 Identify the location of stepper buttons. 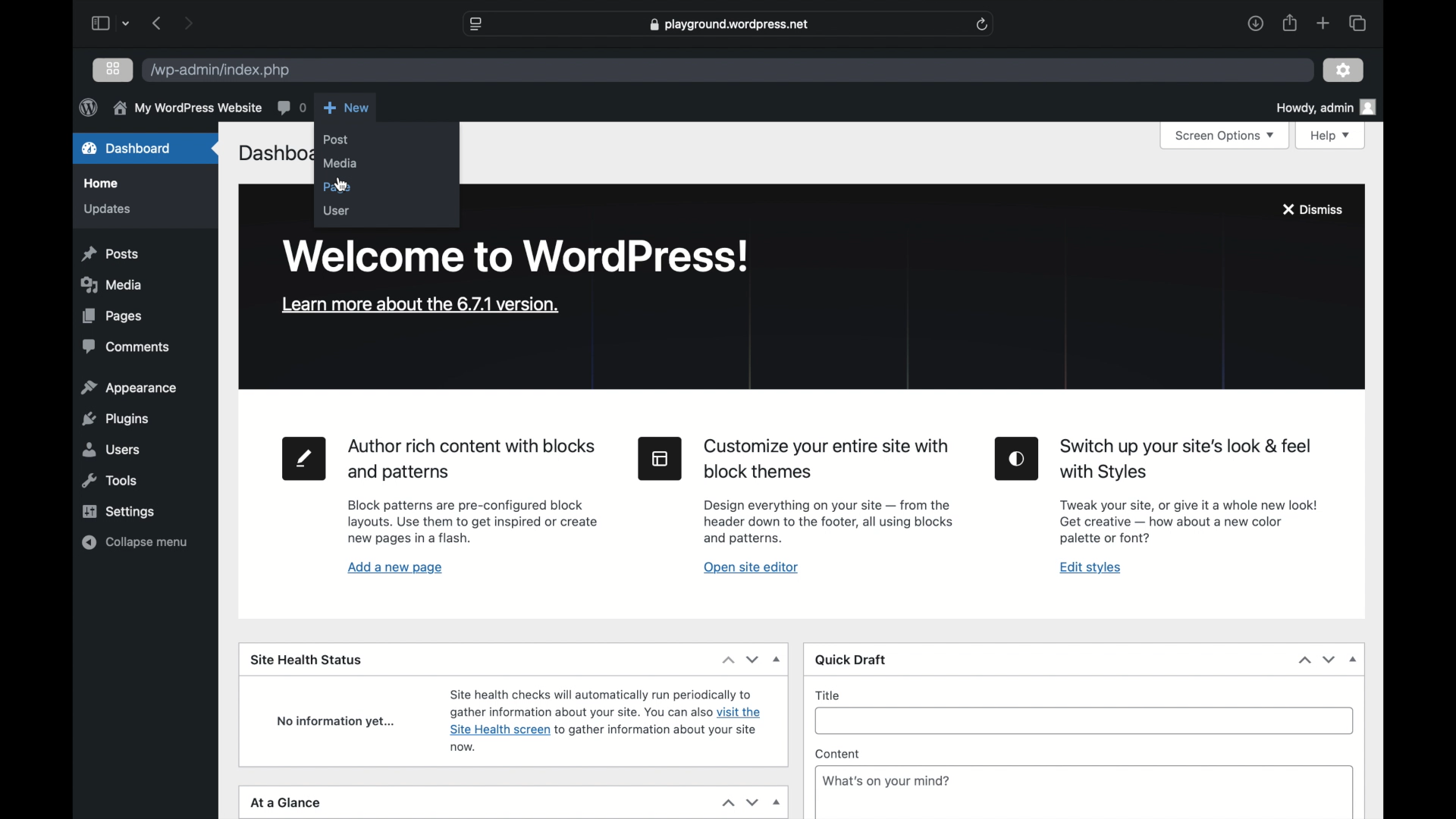
(1318, 660).